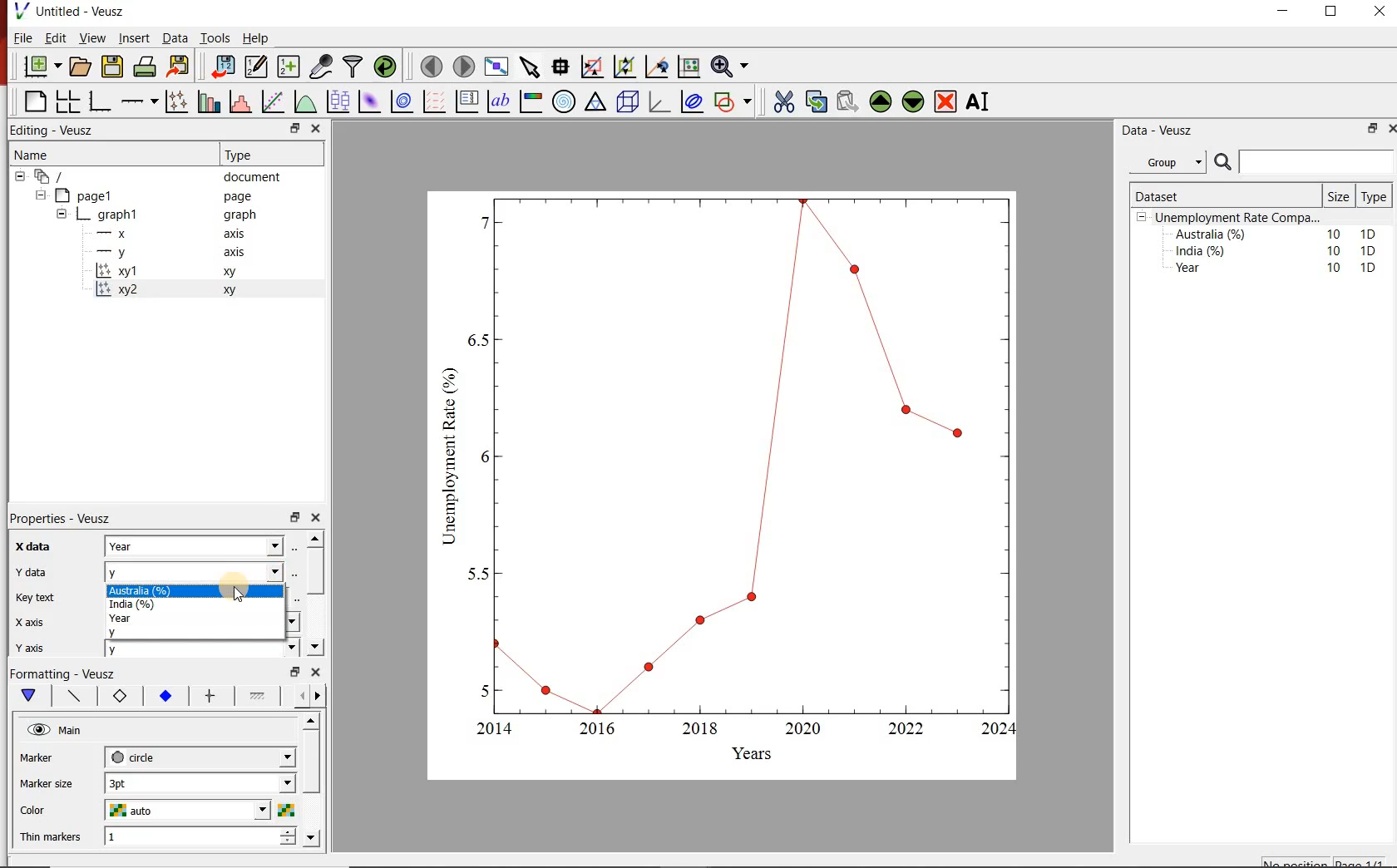 The width and height of the screenshot is (1397, 868). What do you see at coordinates (36, 572) in the screenshot?
I see `y data` at bounding box center [36, 572].